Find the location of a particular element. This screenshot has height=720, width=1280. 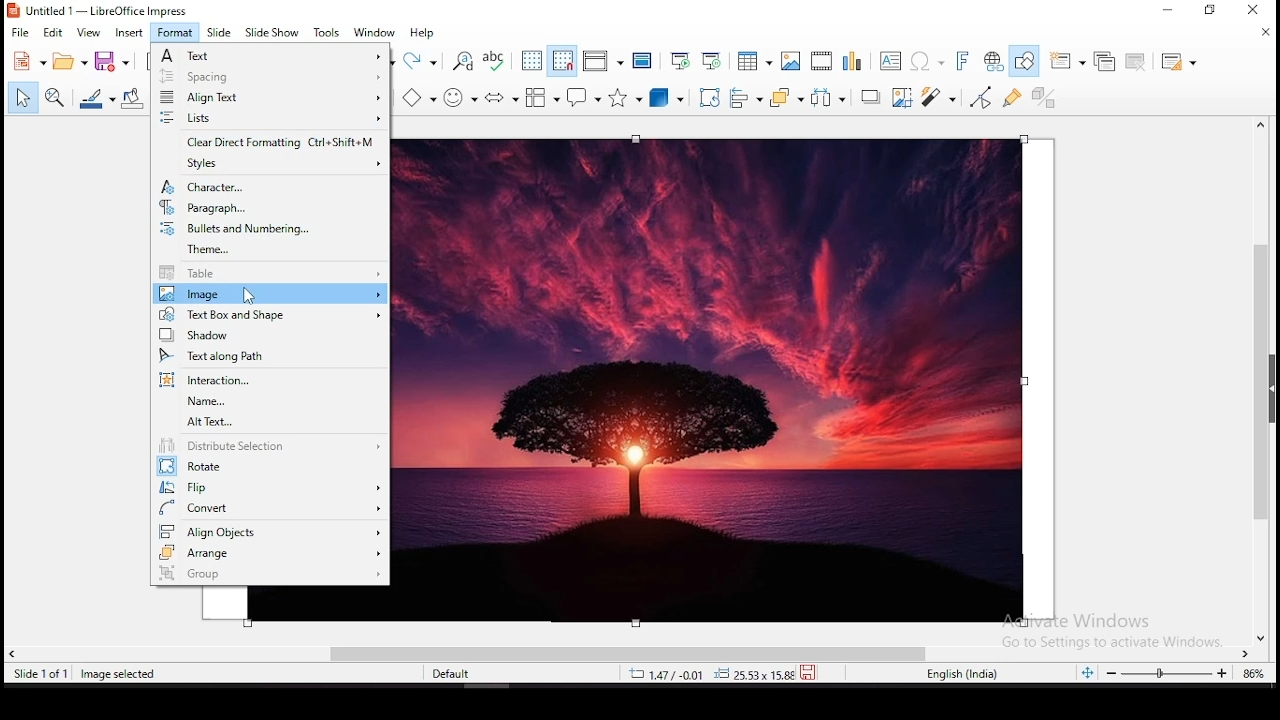

text box is located at coordinates (890, 61).